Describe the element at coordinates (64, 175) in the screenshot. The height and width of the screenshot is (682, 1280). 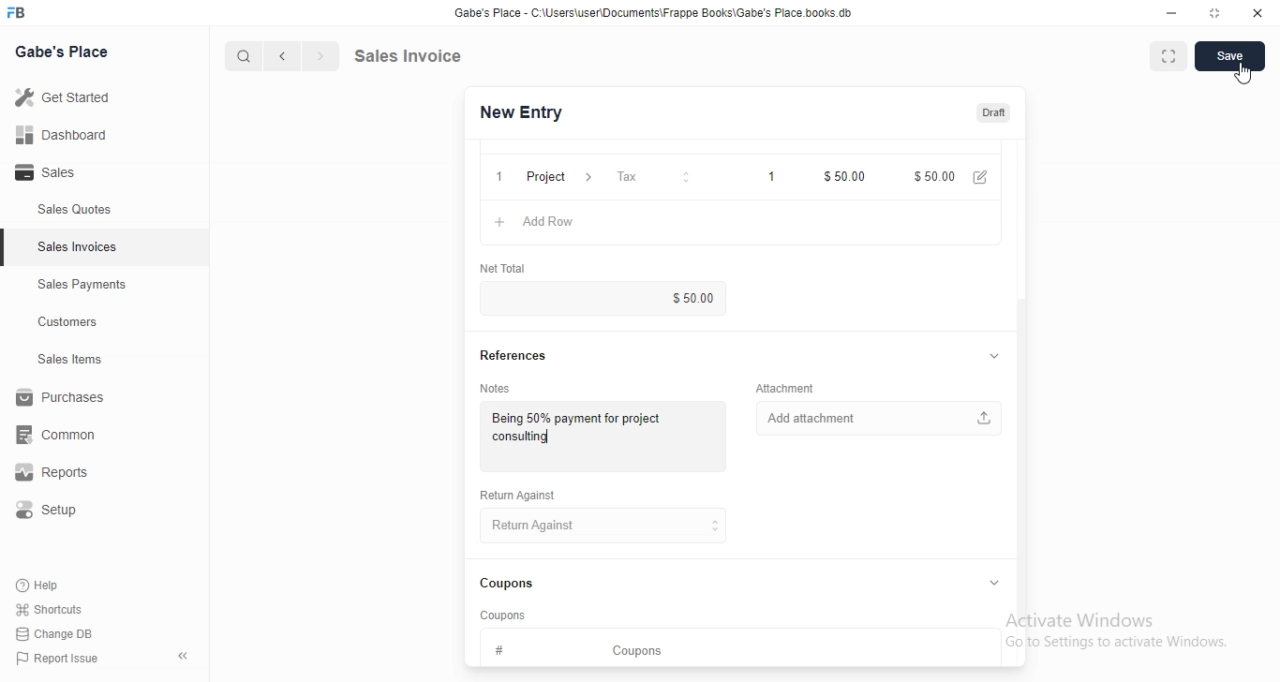
I see `- Sales` at that location.